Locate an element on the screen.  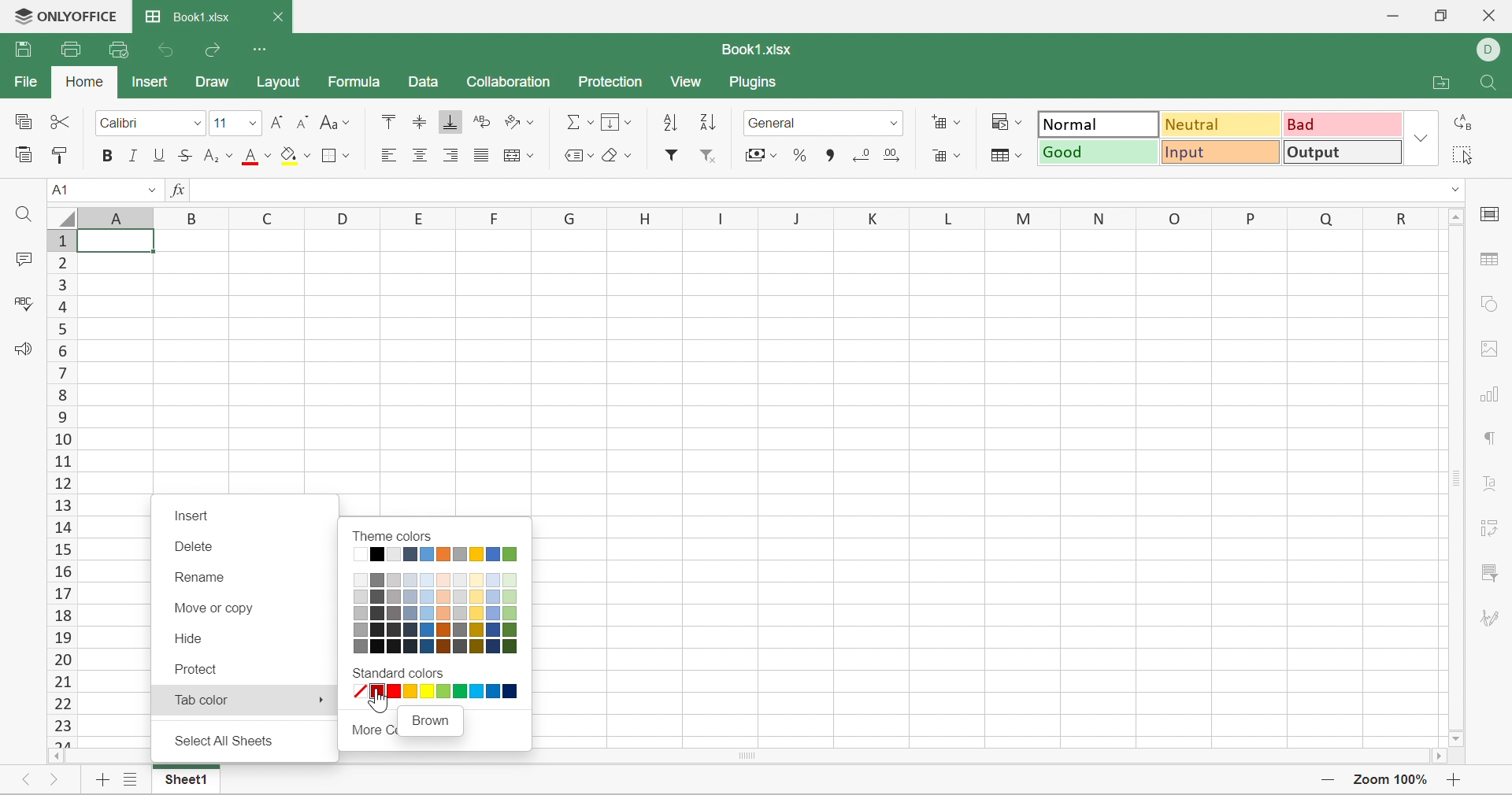
Superscript / Subscript is located at coordinates (218, 157).